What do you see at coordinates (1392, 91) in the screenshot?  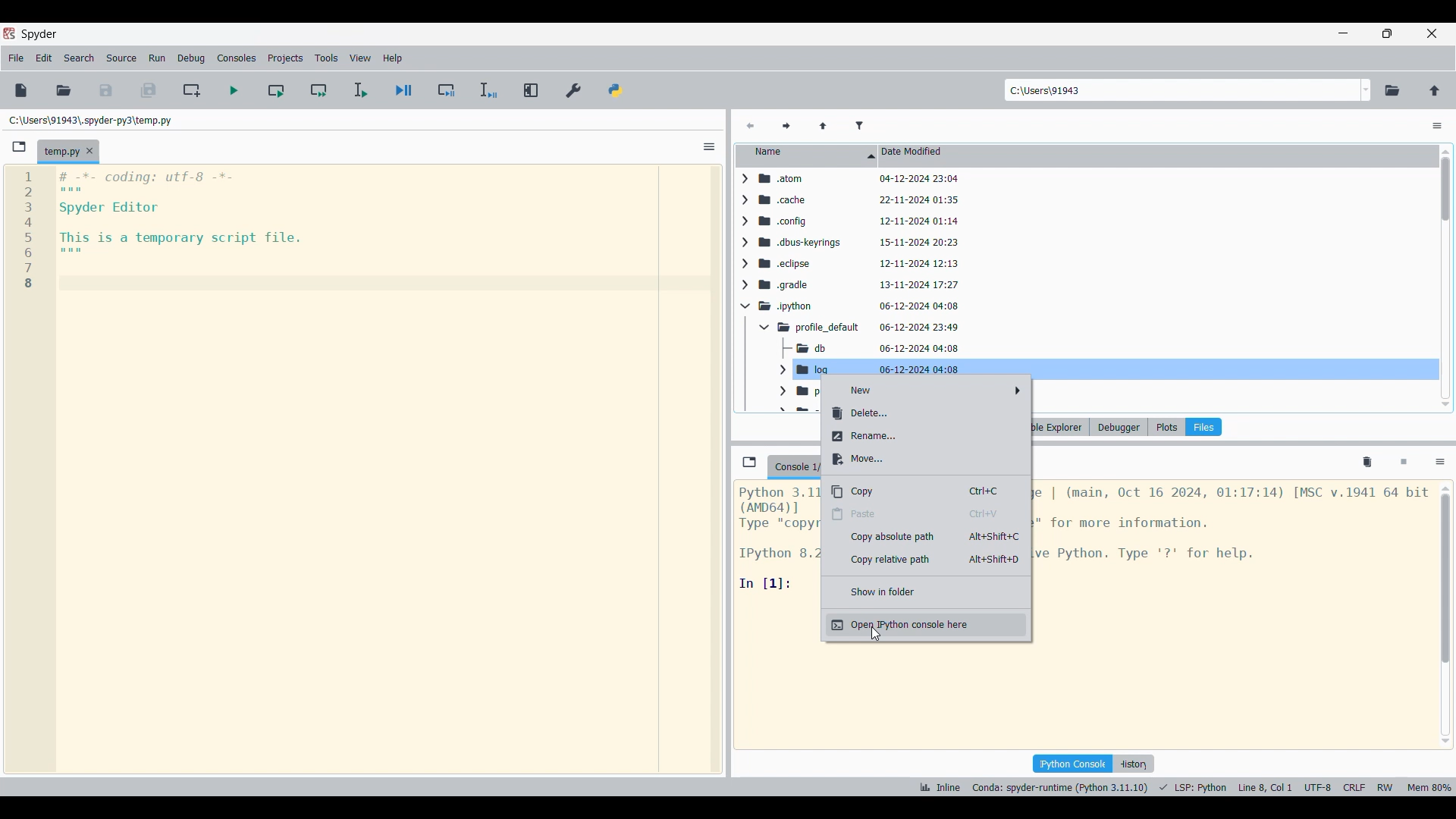 I see `Browse working directory` at bounding box center [1392, 91].